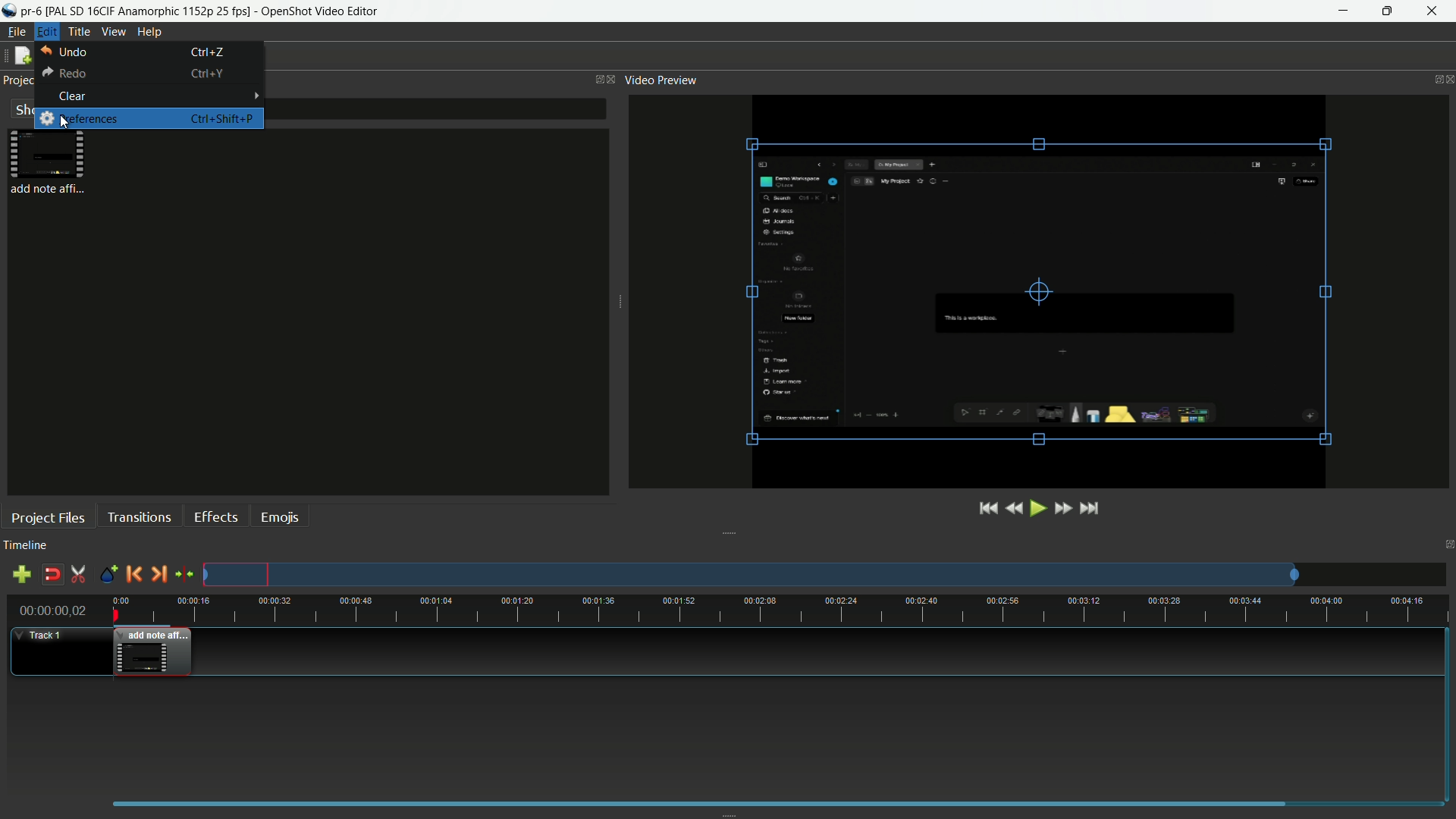 This screenshot has width=1456, height=819. I want to click on disable snap, so click(52, 574).